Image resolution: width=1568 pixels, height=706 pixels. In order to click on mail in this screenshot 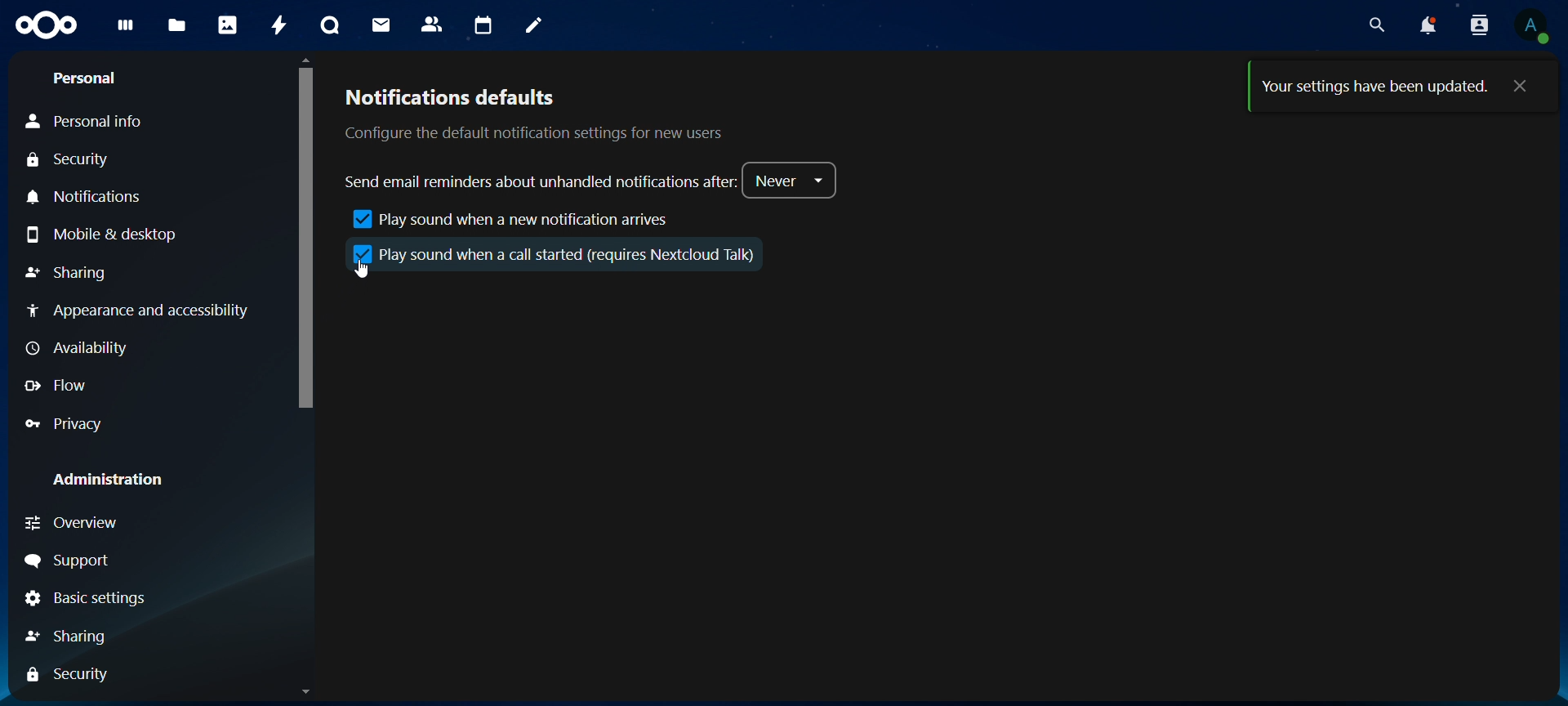, I will do `click(382, 24)`.